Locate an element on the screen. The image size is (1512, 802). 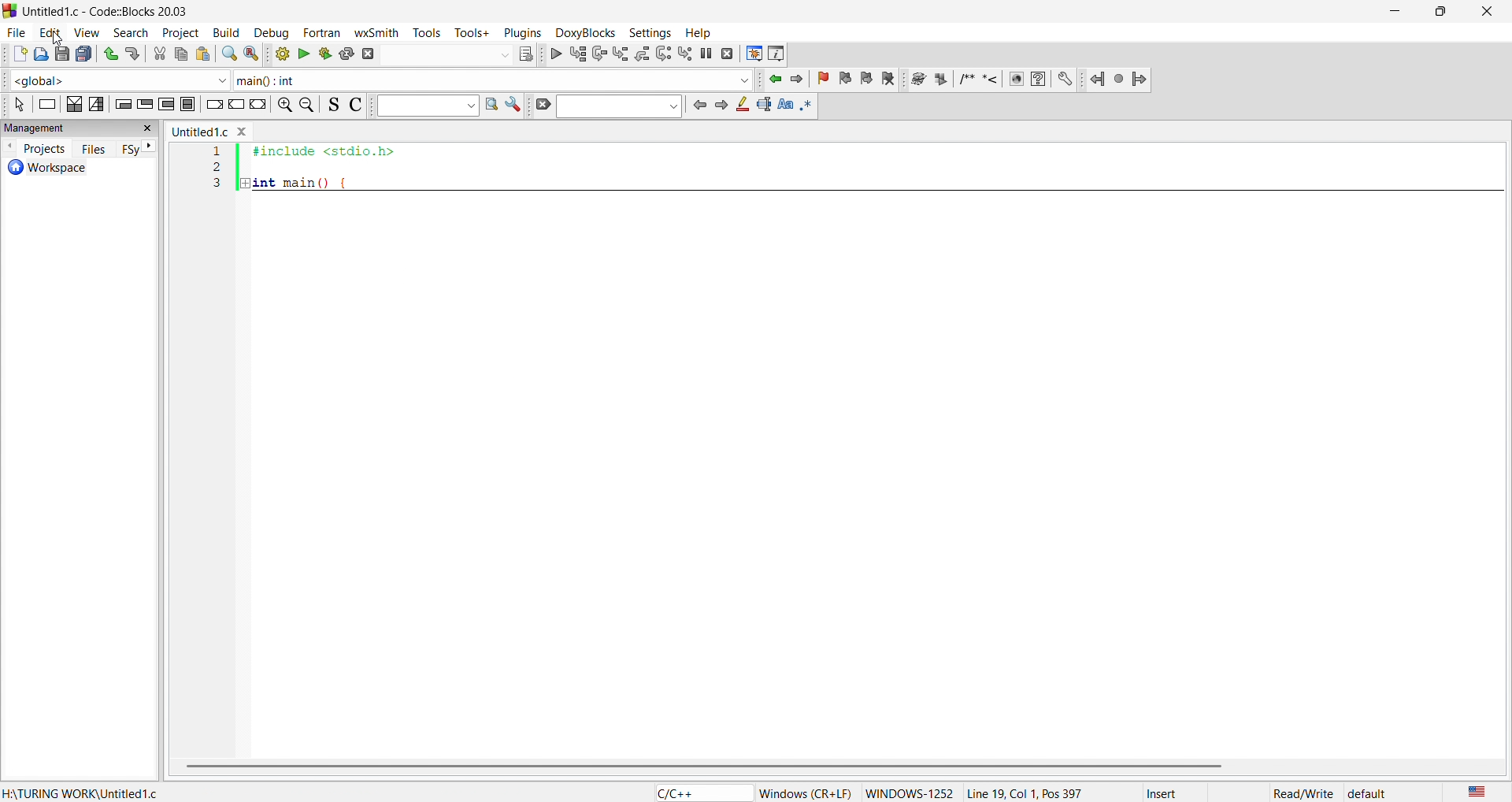
vertical scroll bar is located at coordinates (829, 767).